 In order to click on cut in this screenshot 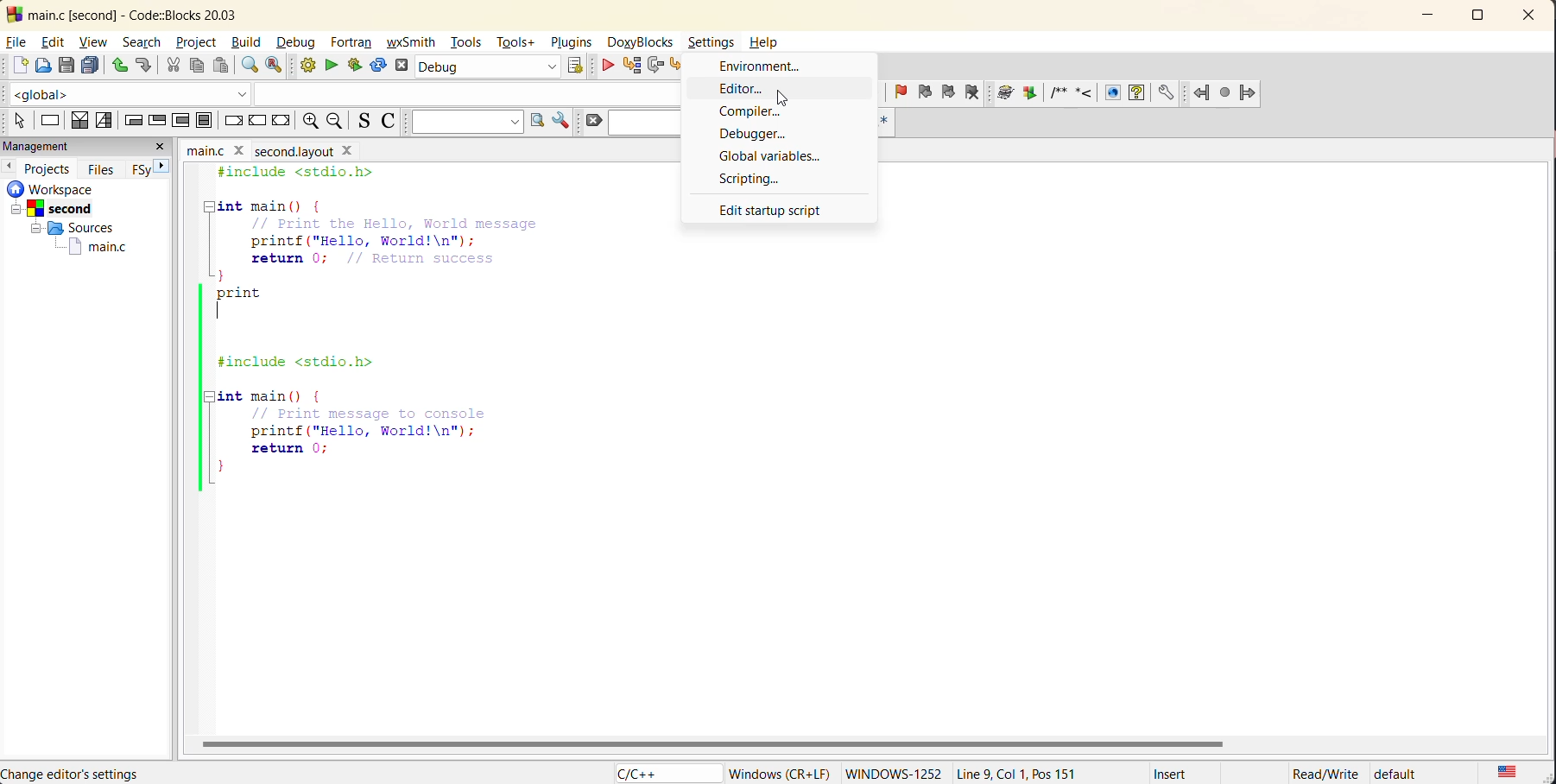, I will do `click(169, 65)`.